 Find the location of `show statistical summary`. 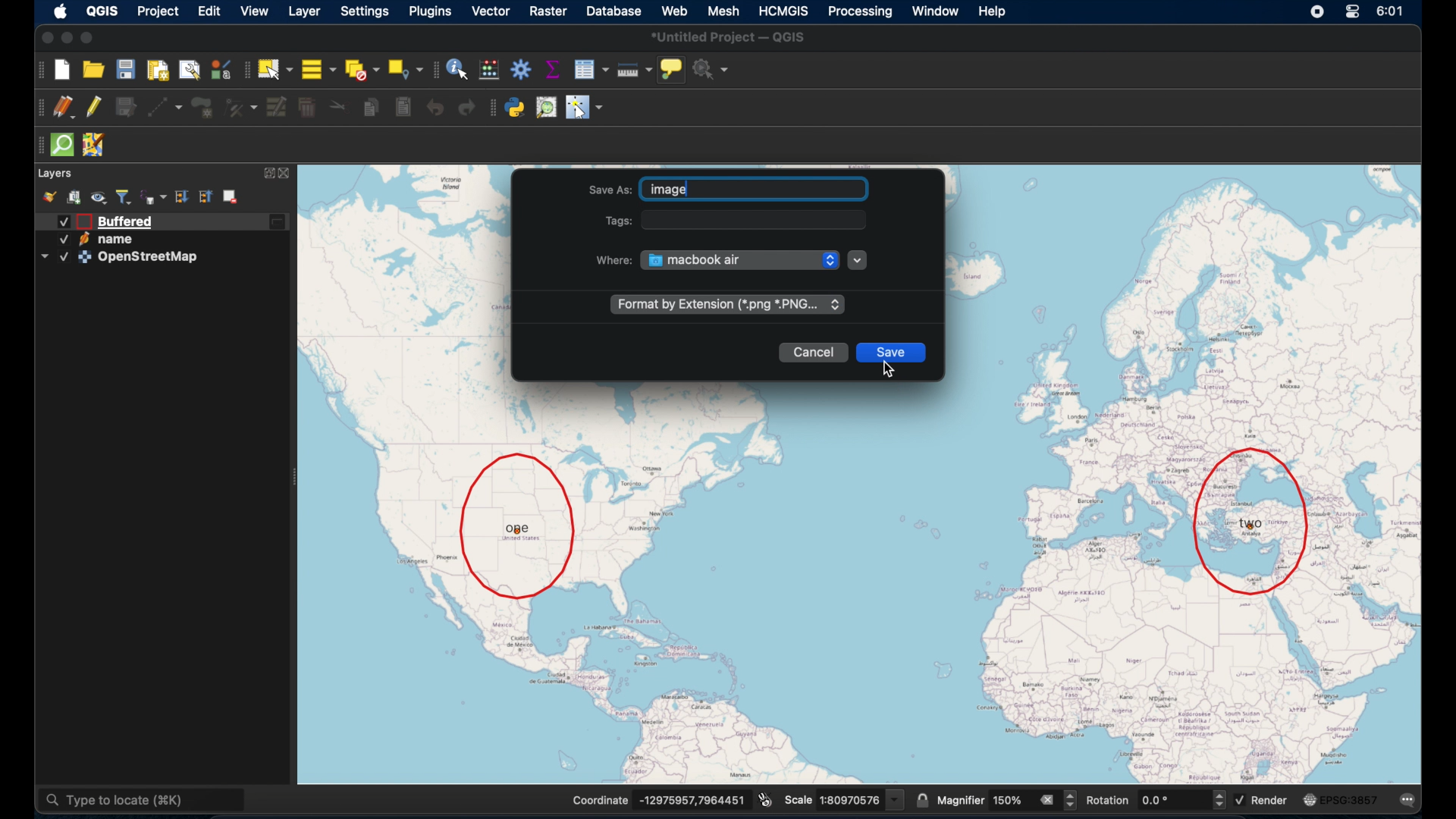

show statistical summary is located at coordinates (554, 68).